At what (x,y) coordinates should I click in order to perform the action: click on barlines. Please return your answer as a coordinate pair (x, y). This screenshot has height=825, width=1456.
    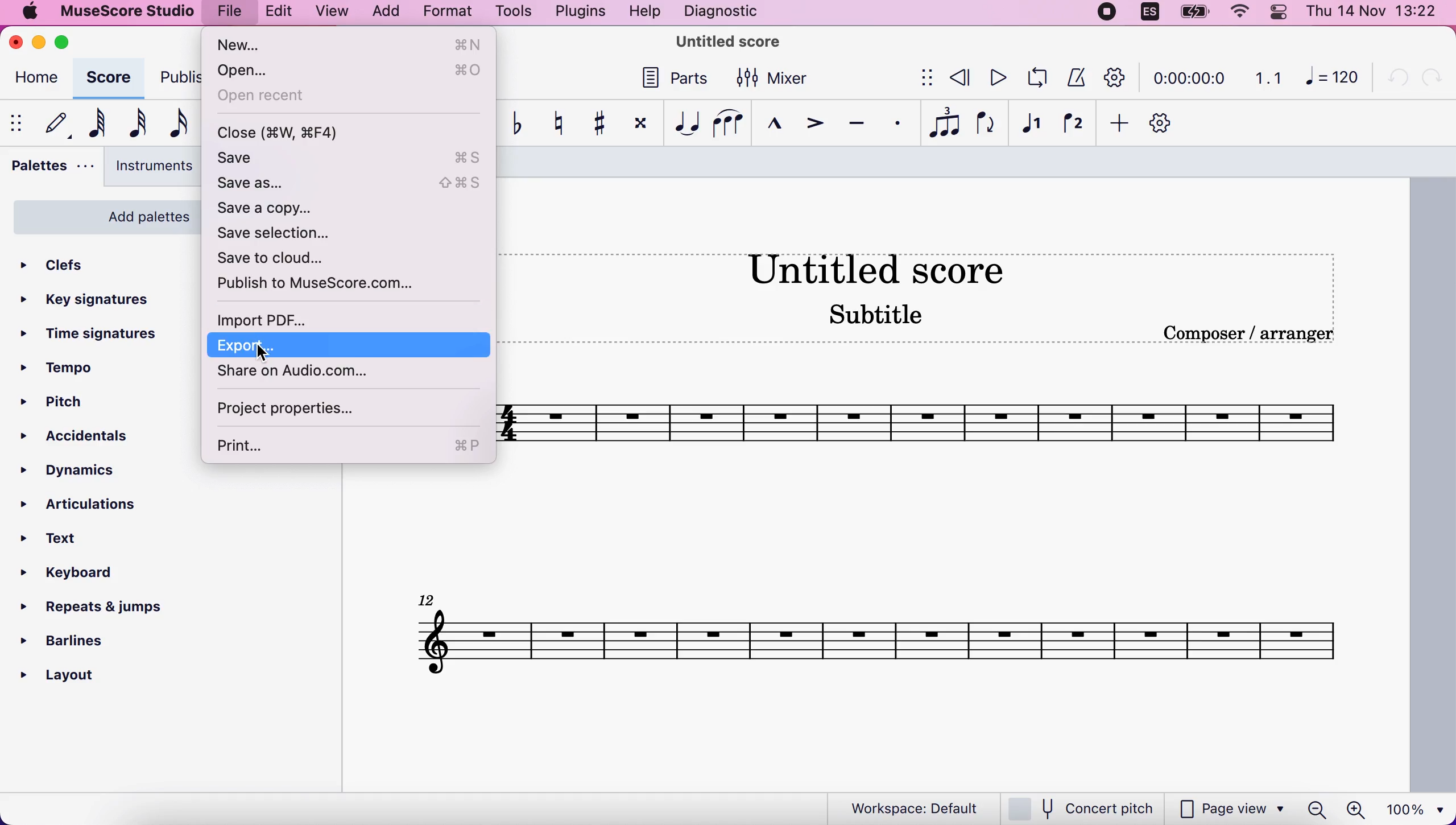
    Looking at the image, I should click on (78, 643).